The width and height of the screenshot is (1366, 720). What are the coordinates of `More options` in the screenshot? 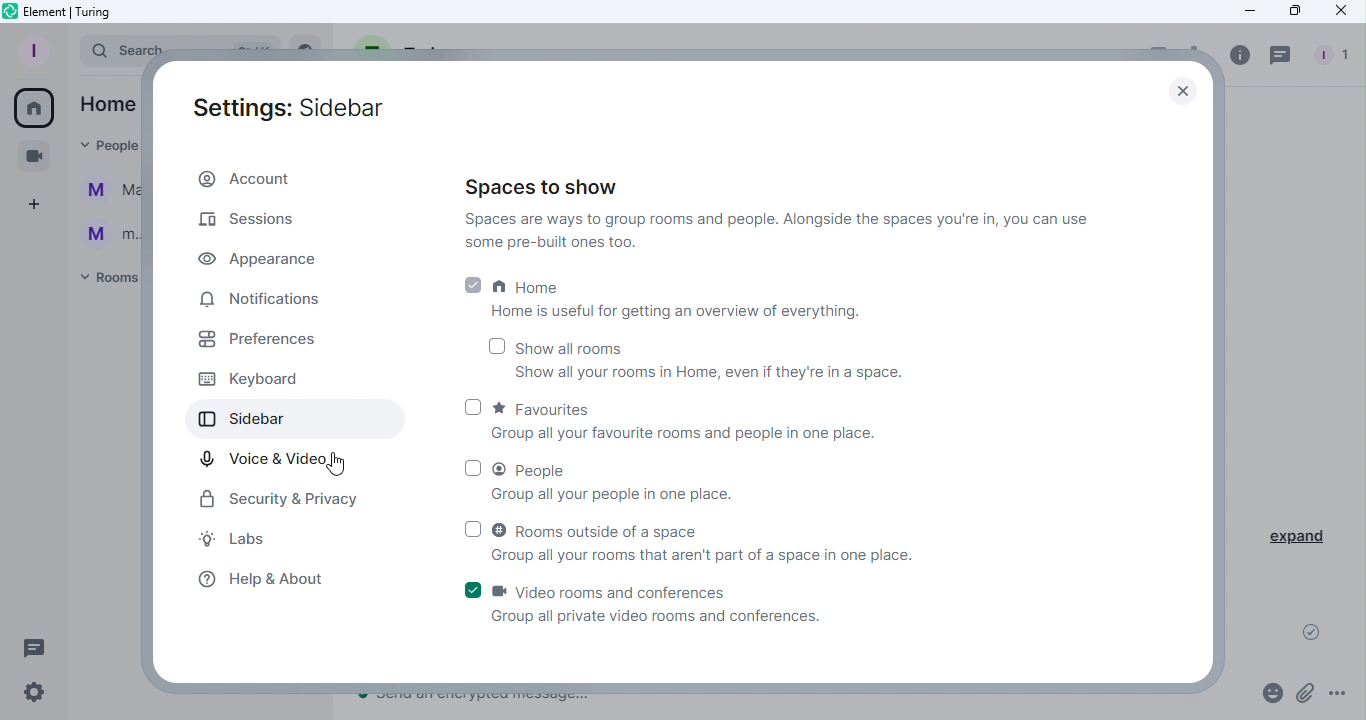 It's located at (1341, 697).